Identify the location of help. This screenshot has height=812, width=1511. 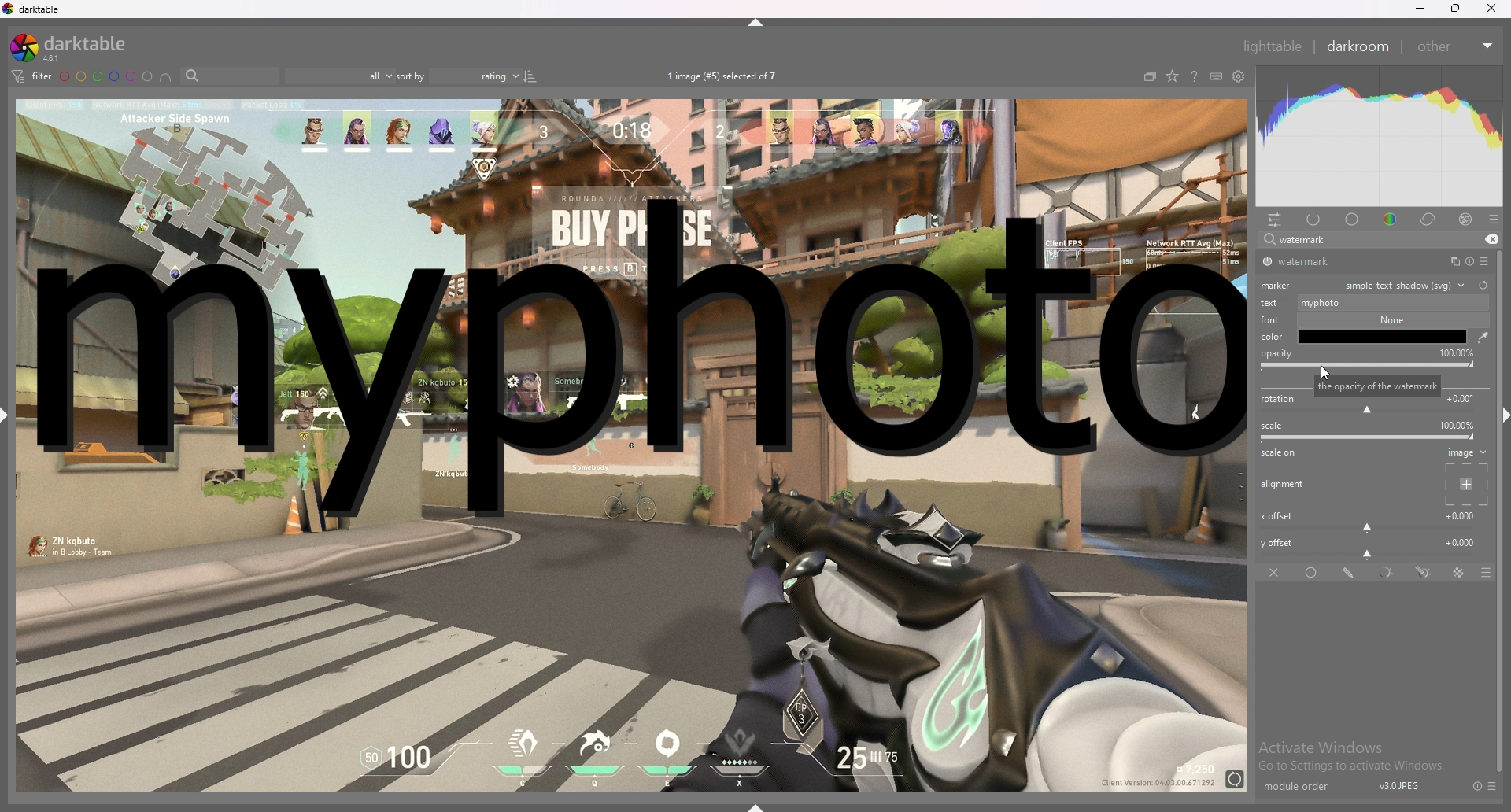
(1194, 78).